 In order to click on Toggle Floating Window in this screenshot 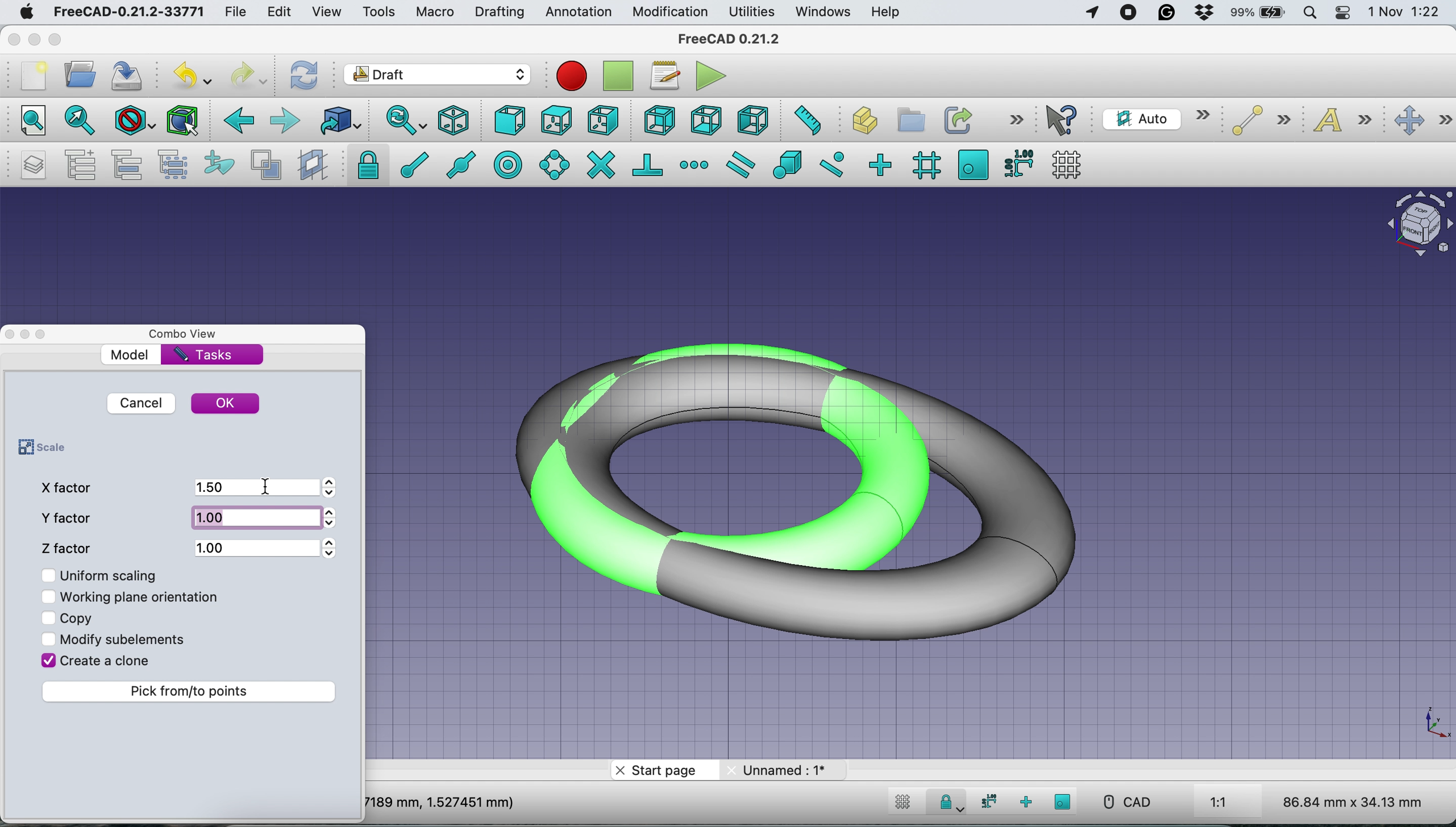, I will do `click(27, 335)`.